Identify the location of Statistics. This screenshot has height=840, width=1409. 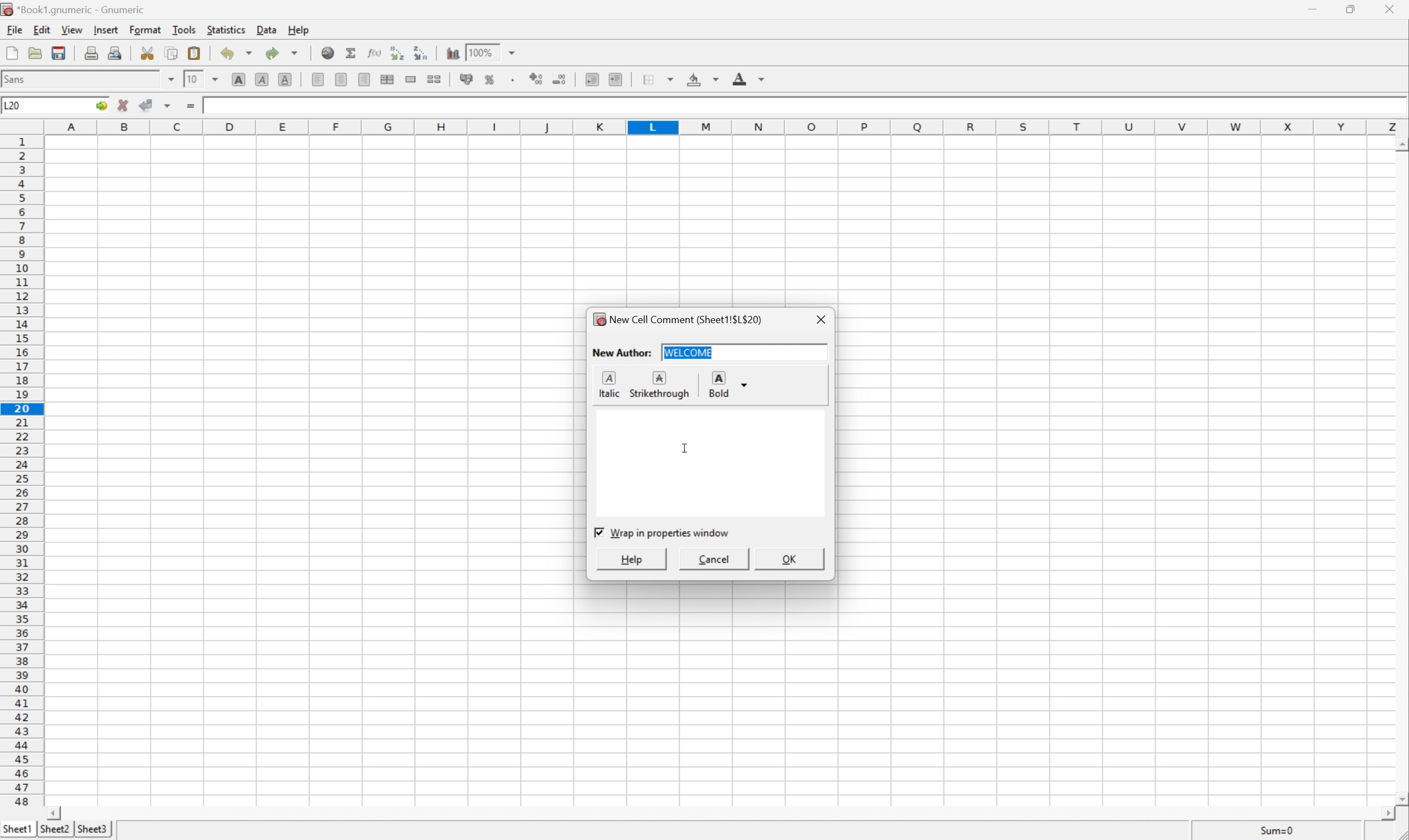
(227, 29).